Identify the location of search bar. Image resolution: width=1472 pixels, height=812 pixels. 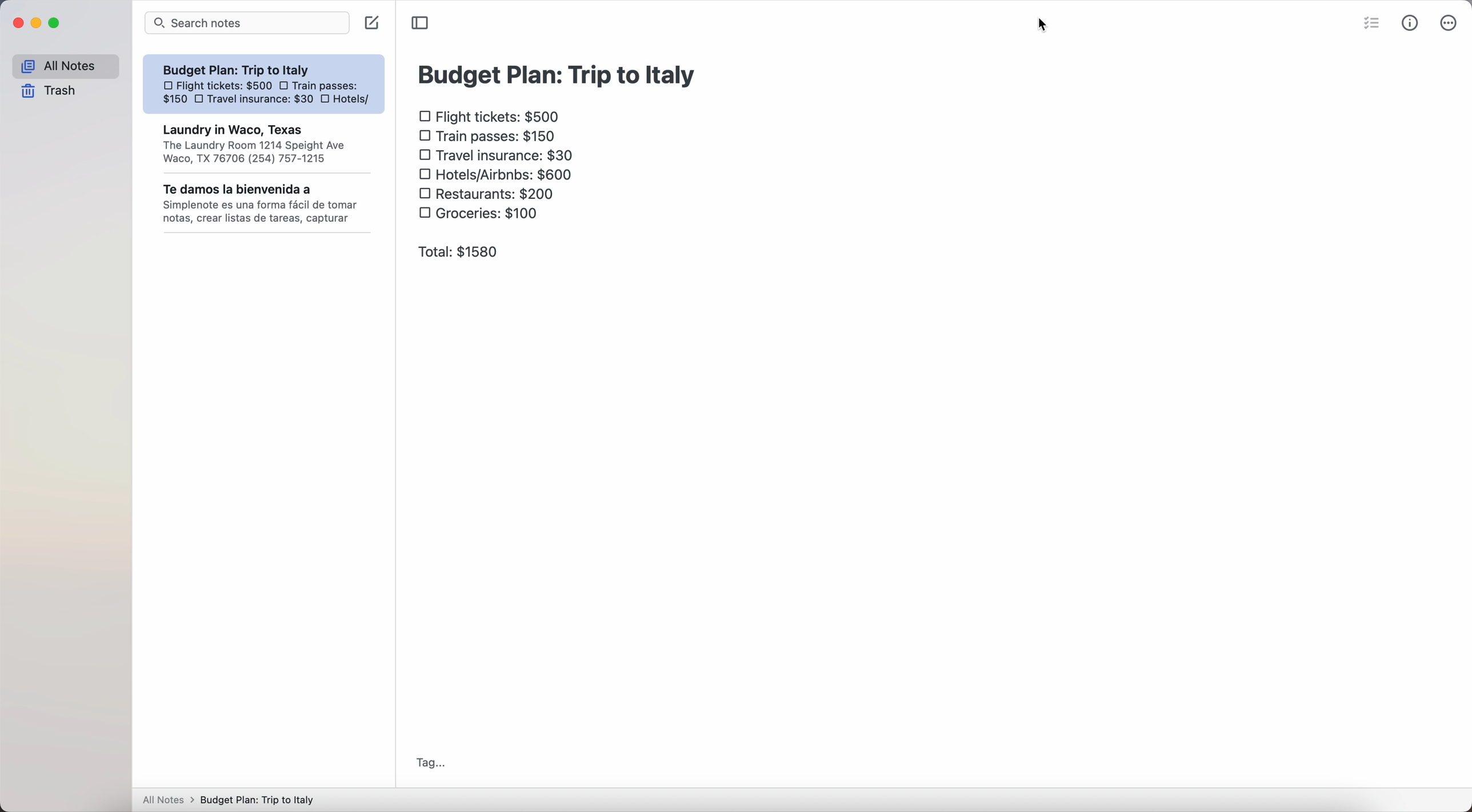
(247, 23).